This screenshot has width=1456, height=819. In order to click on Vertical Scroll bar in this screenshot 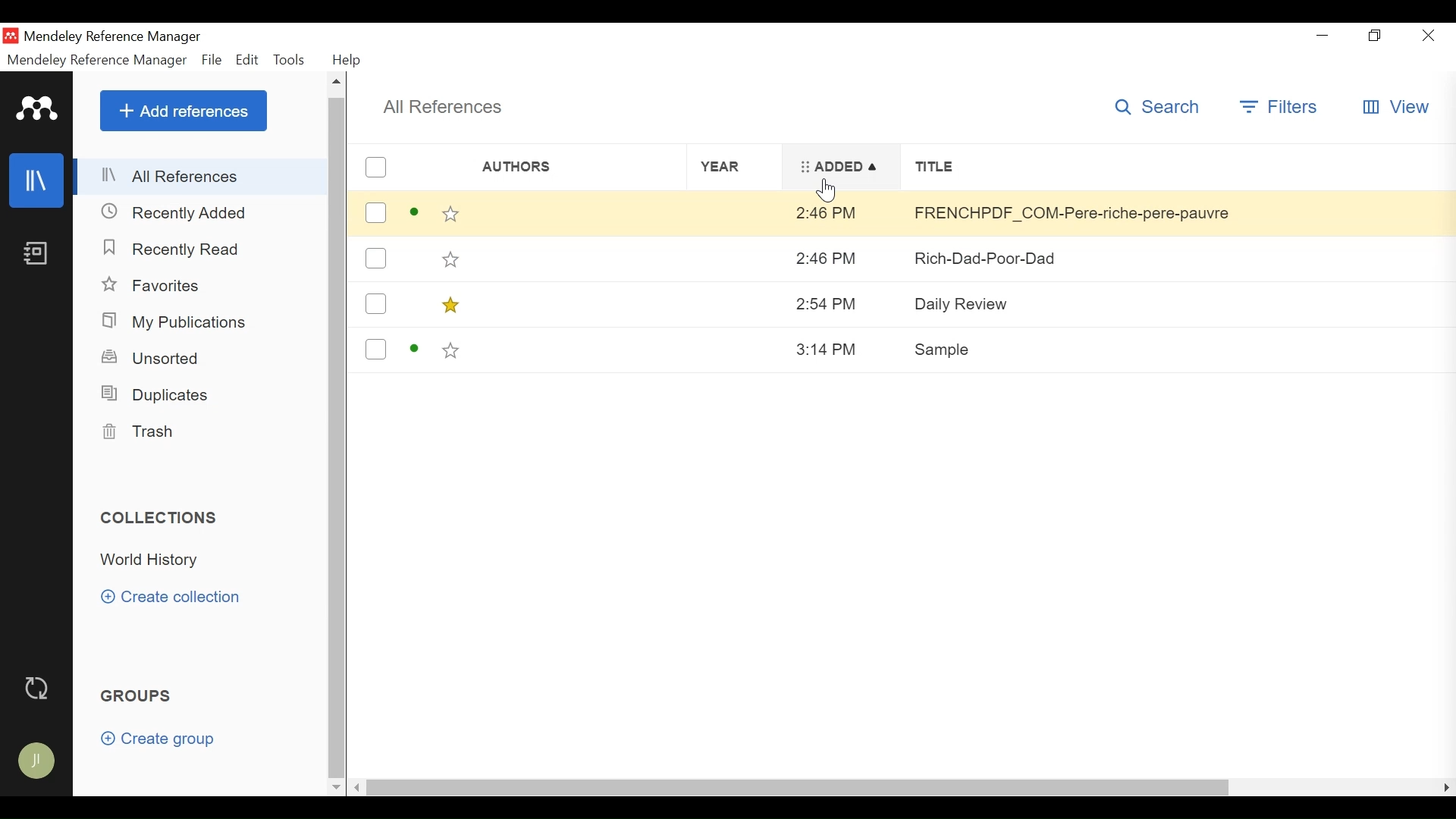, I will do `click(338, 436)`.